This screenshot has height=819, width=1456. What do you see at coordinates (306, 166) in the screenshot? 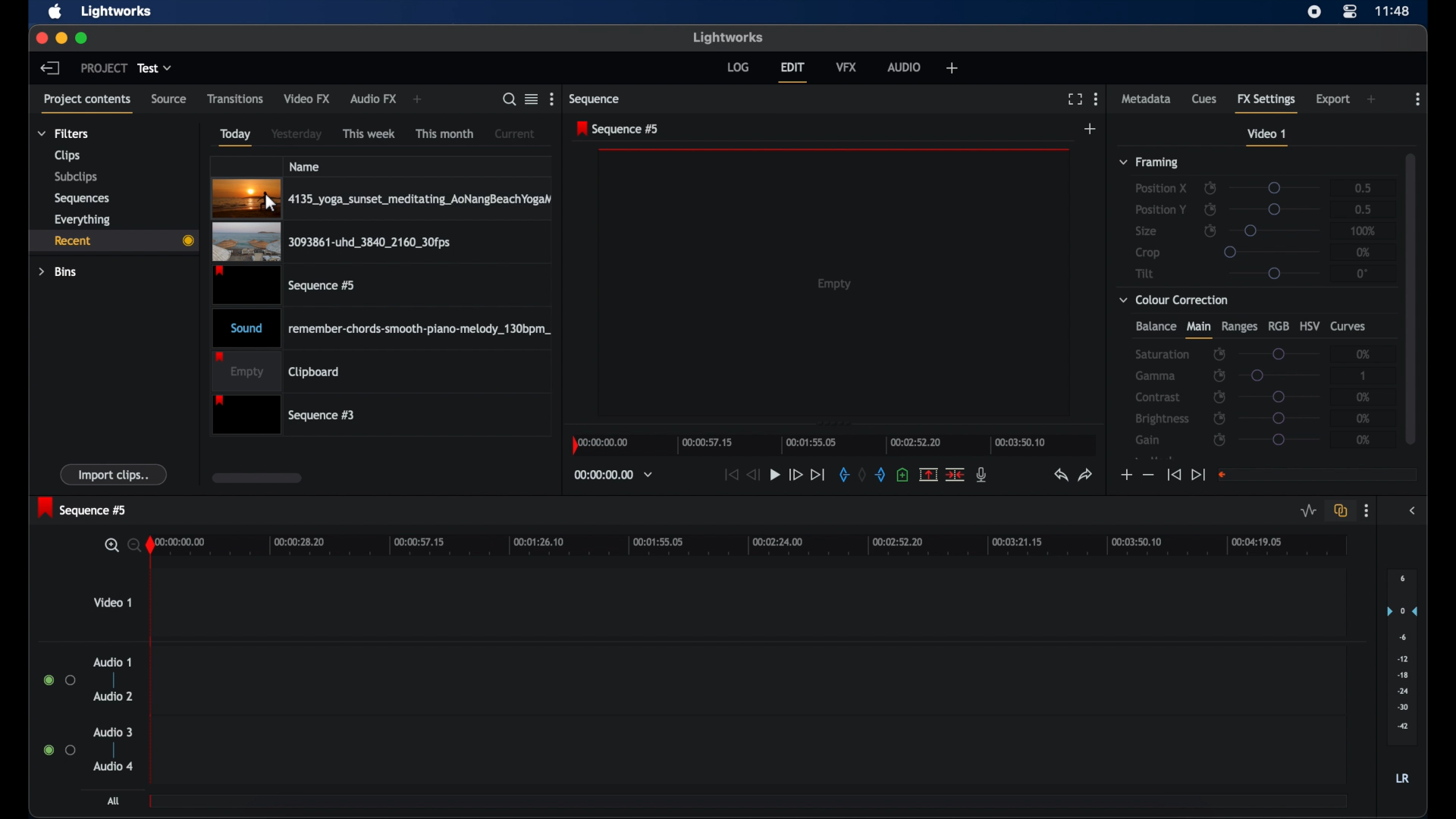
I see `name` at bounding box center [306, 166].